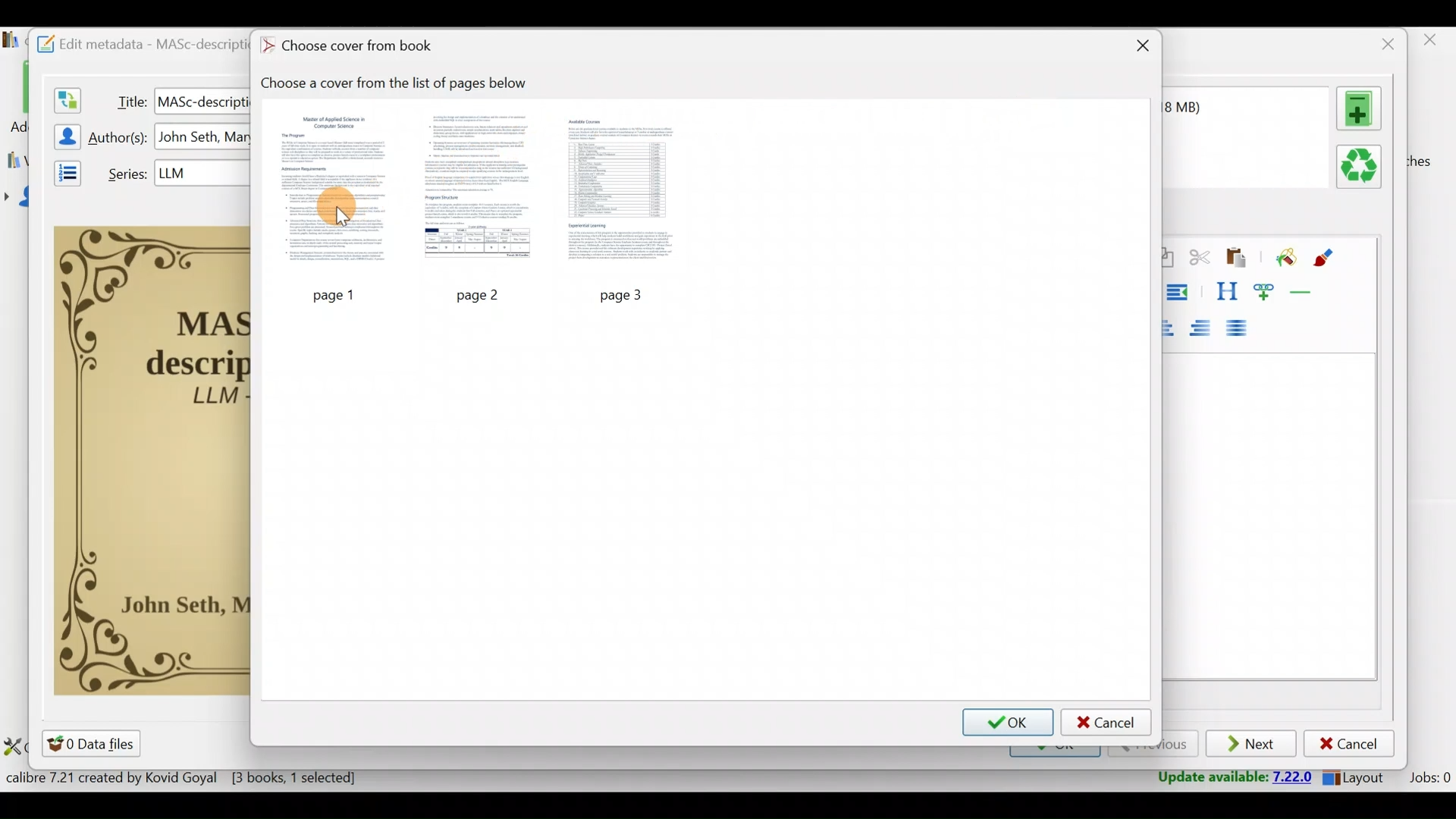  What do you see at coordinates (120, 138) in the screenshot?
I see `Authors` at bounding box center [120, 138].